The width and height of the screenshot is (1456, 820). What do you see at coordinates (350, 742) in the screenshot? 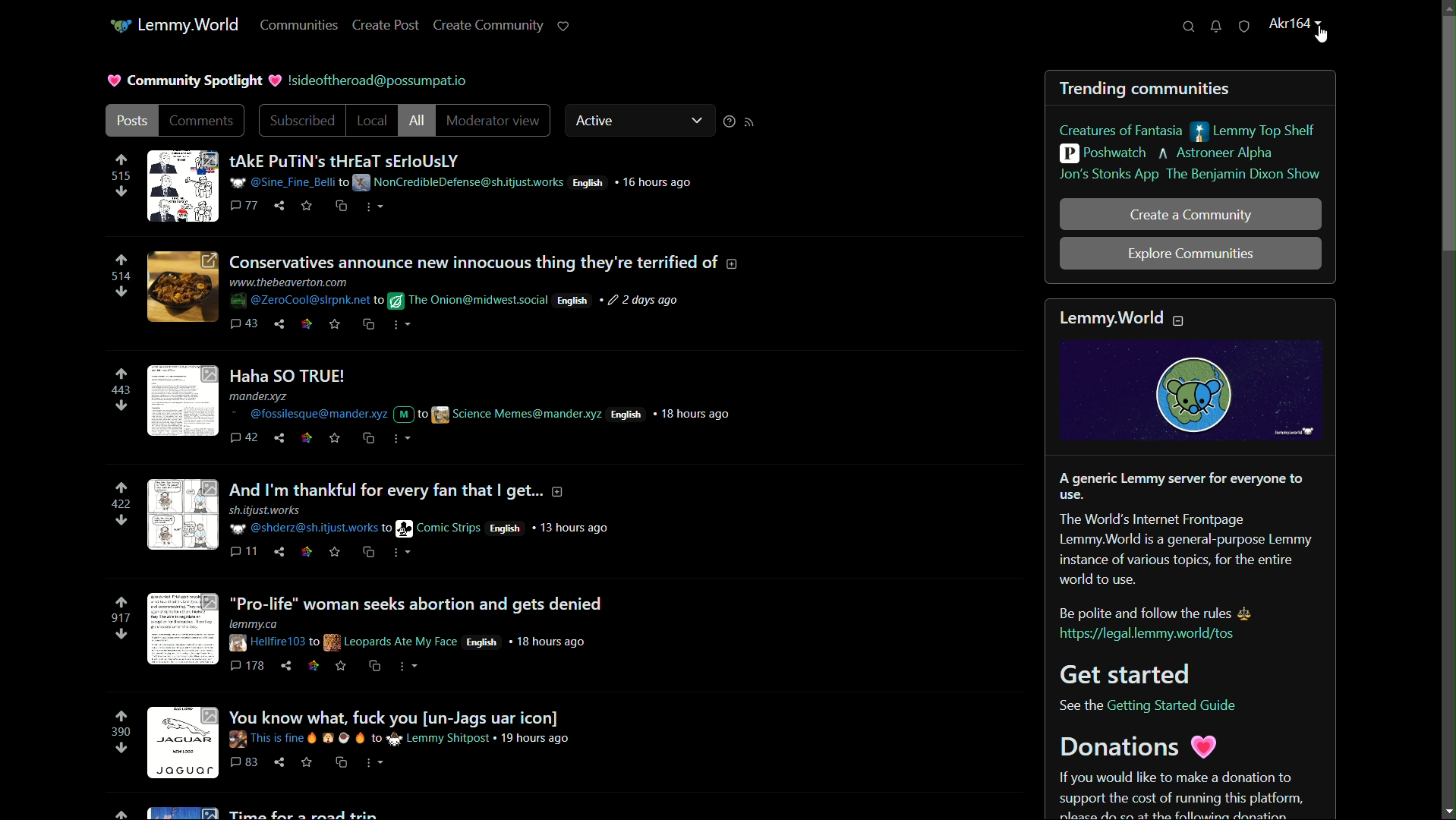
I see `` at bounding box center [350, 742].